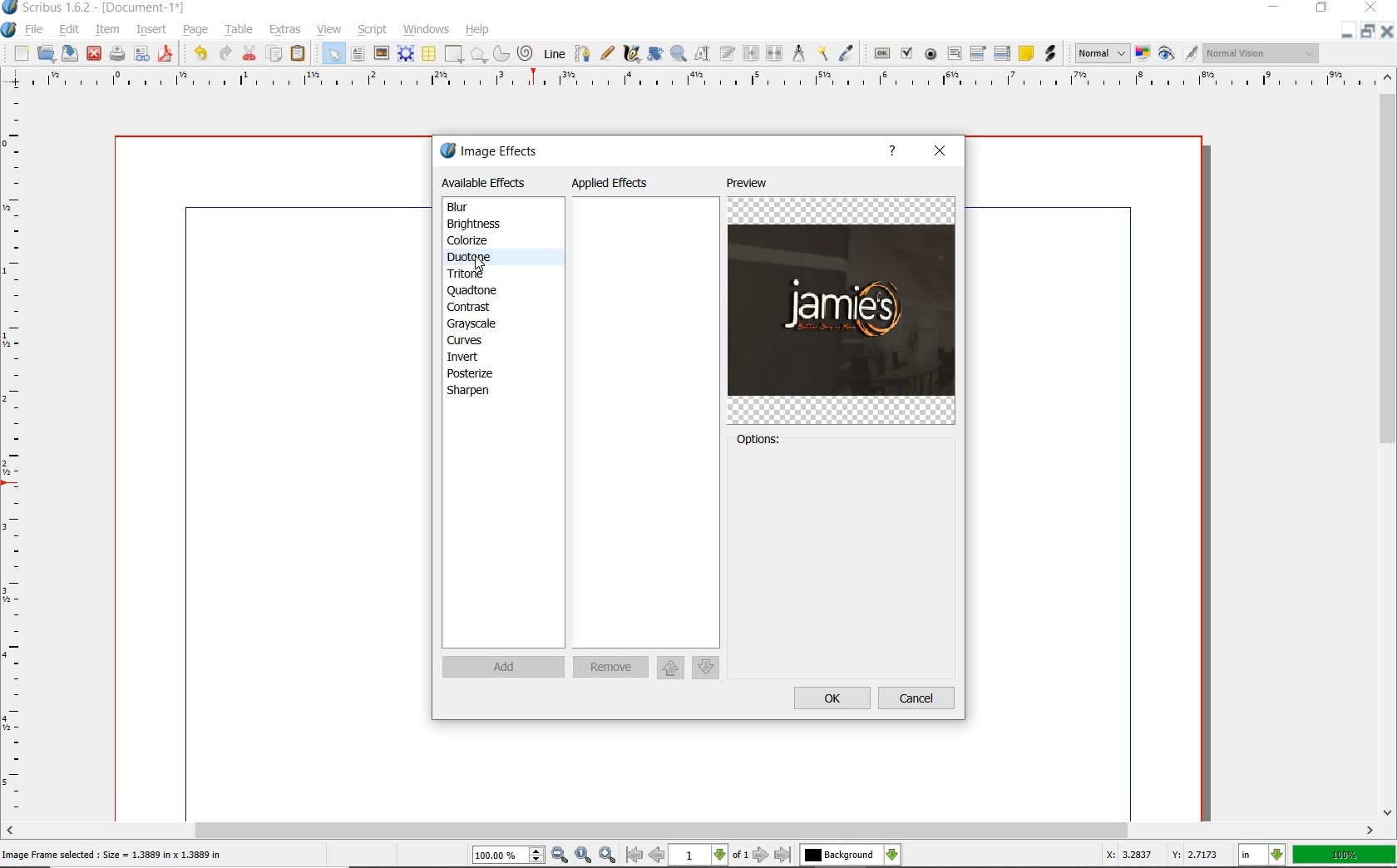  What do you see at coordinates (480, 30) in the screenshot?
I see `help` at bounding box center [480, 30].